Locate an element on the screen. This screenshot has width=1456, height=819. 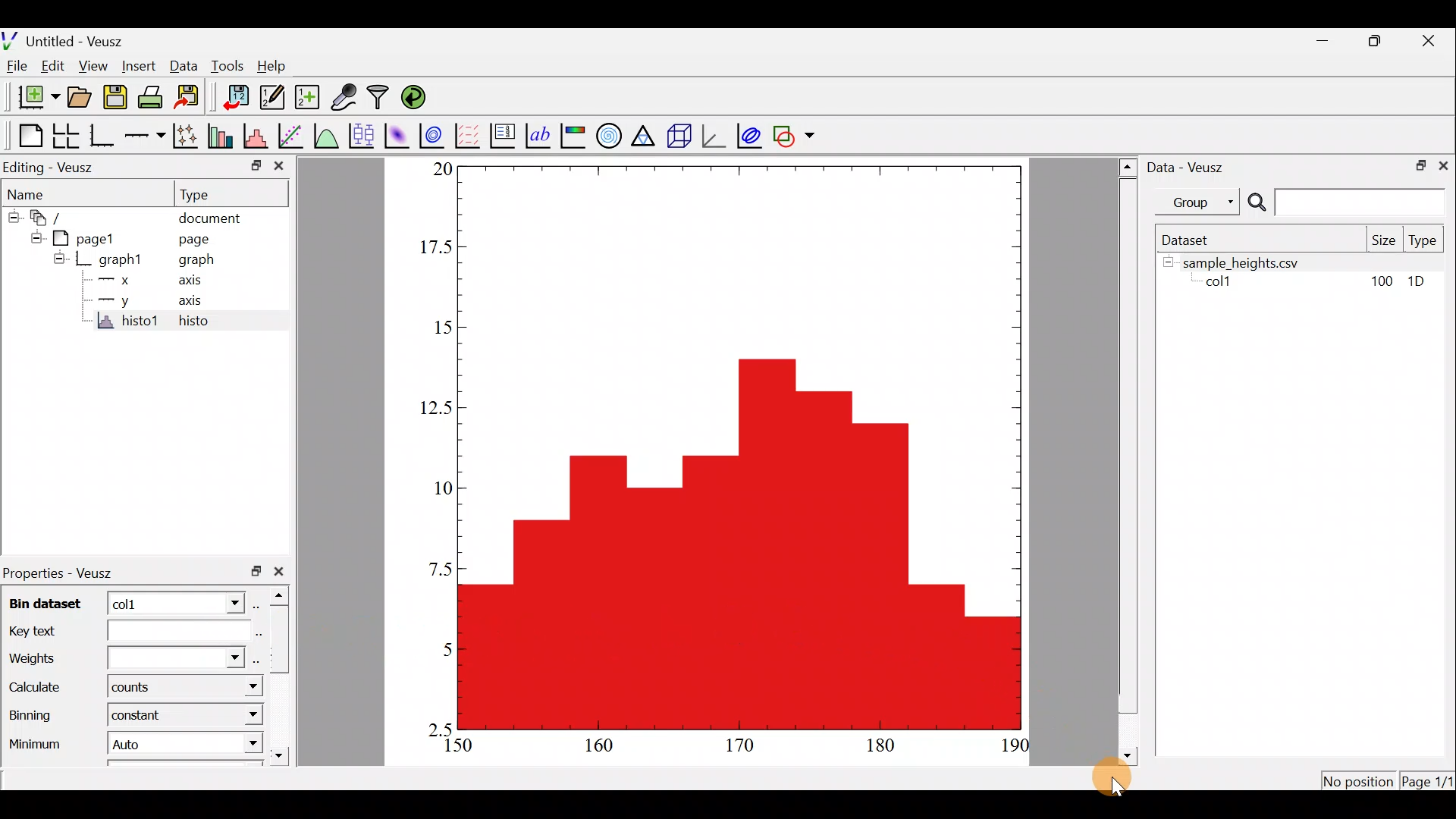
sample heights.csv is located at coordinates (1315, 262).